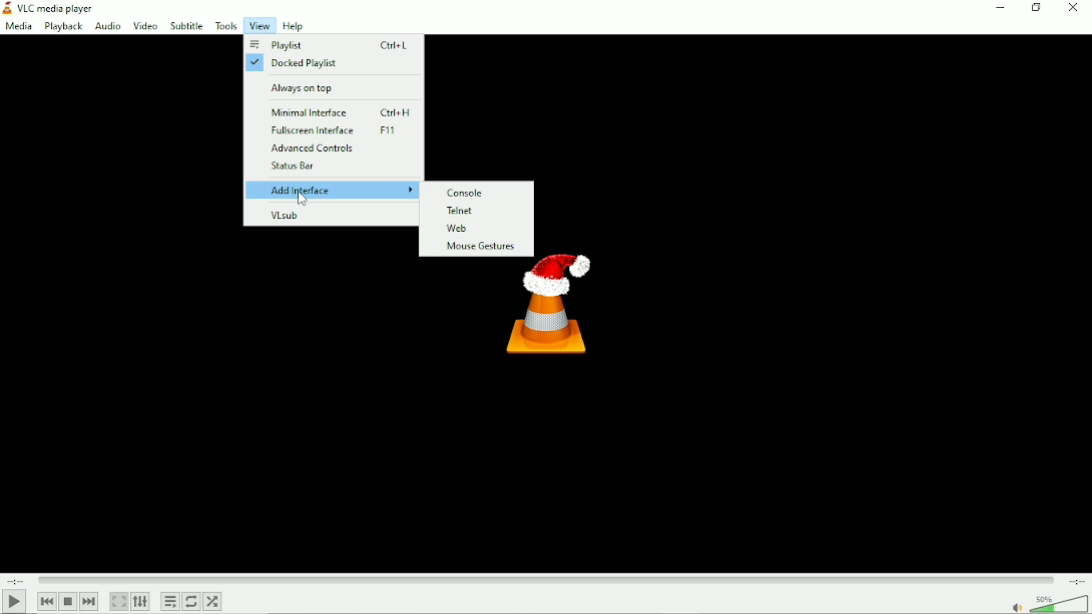 The width and height of the screenshot is (1092, 614). I want to click on Status bar, so click(333, 167).